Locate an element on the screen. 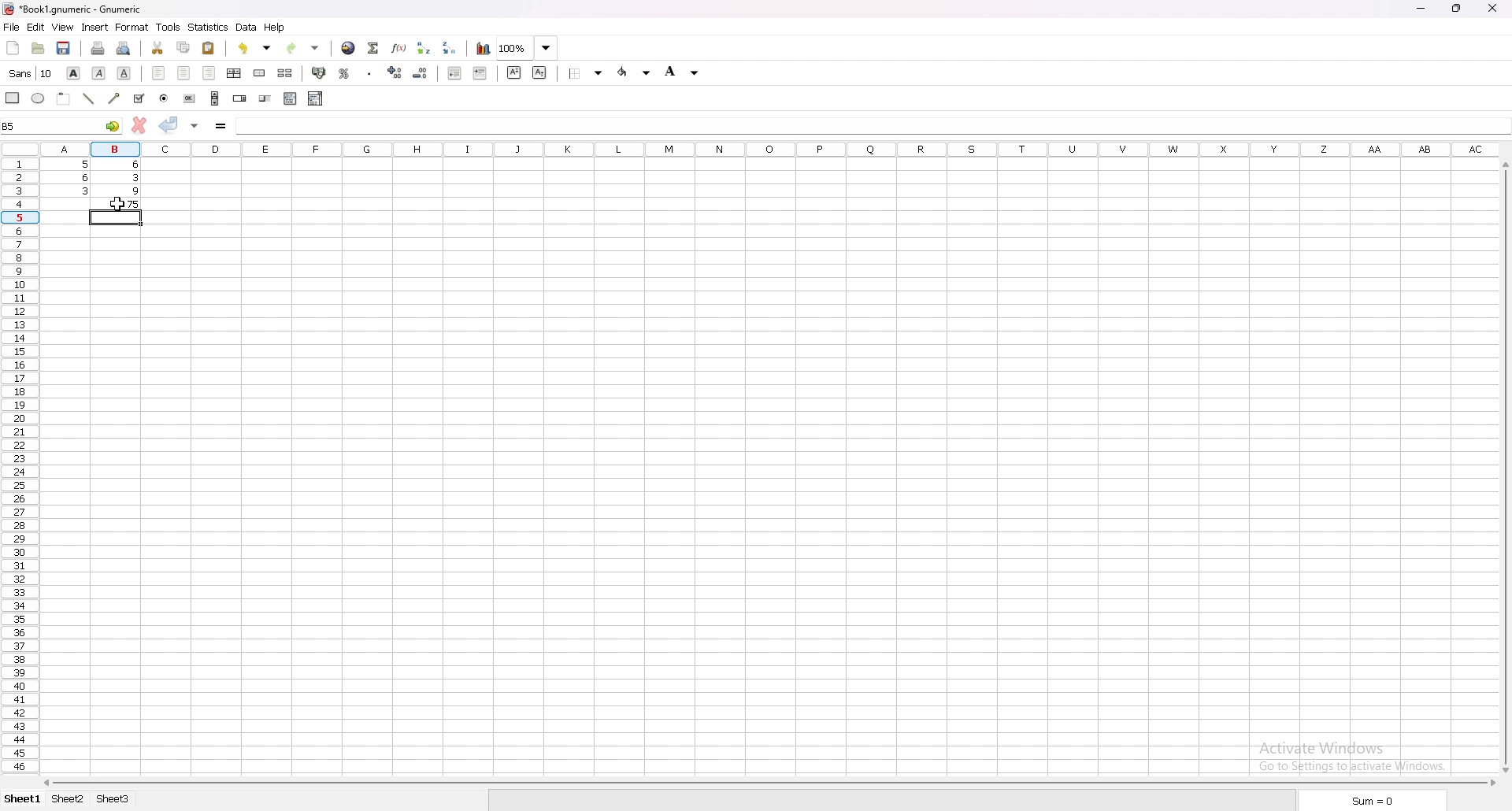 The image size is (1512, 811). sheet is located at coordinates (24, 798).